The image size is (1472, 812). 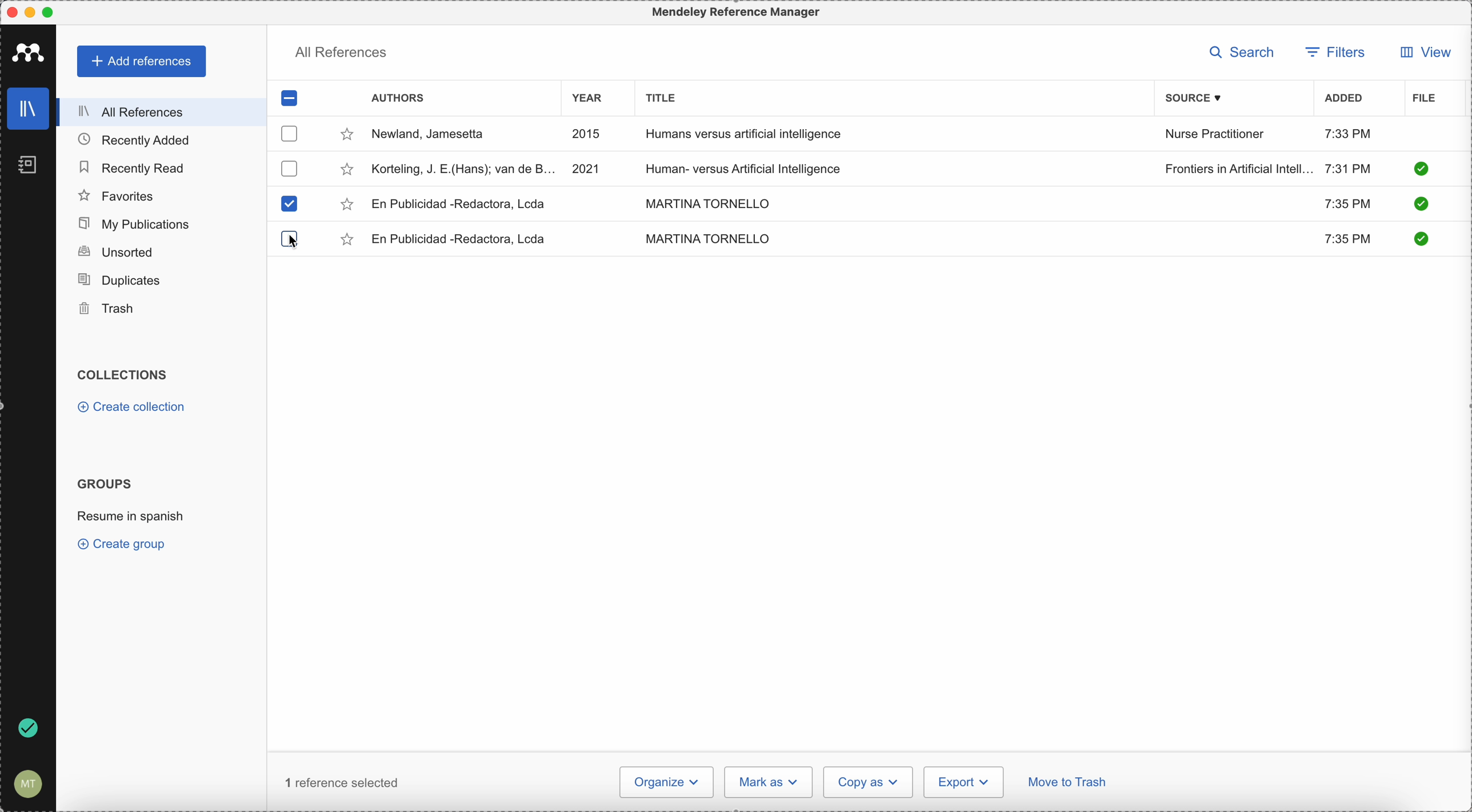 What do you see at coordinates (1246, 53) in the screenshot?
I see `search` at bounding box center [1246, 53].